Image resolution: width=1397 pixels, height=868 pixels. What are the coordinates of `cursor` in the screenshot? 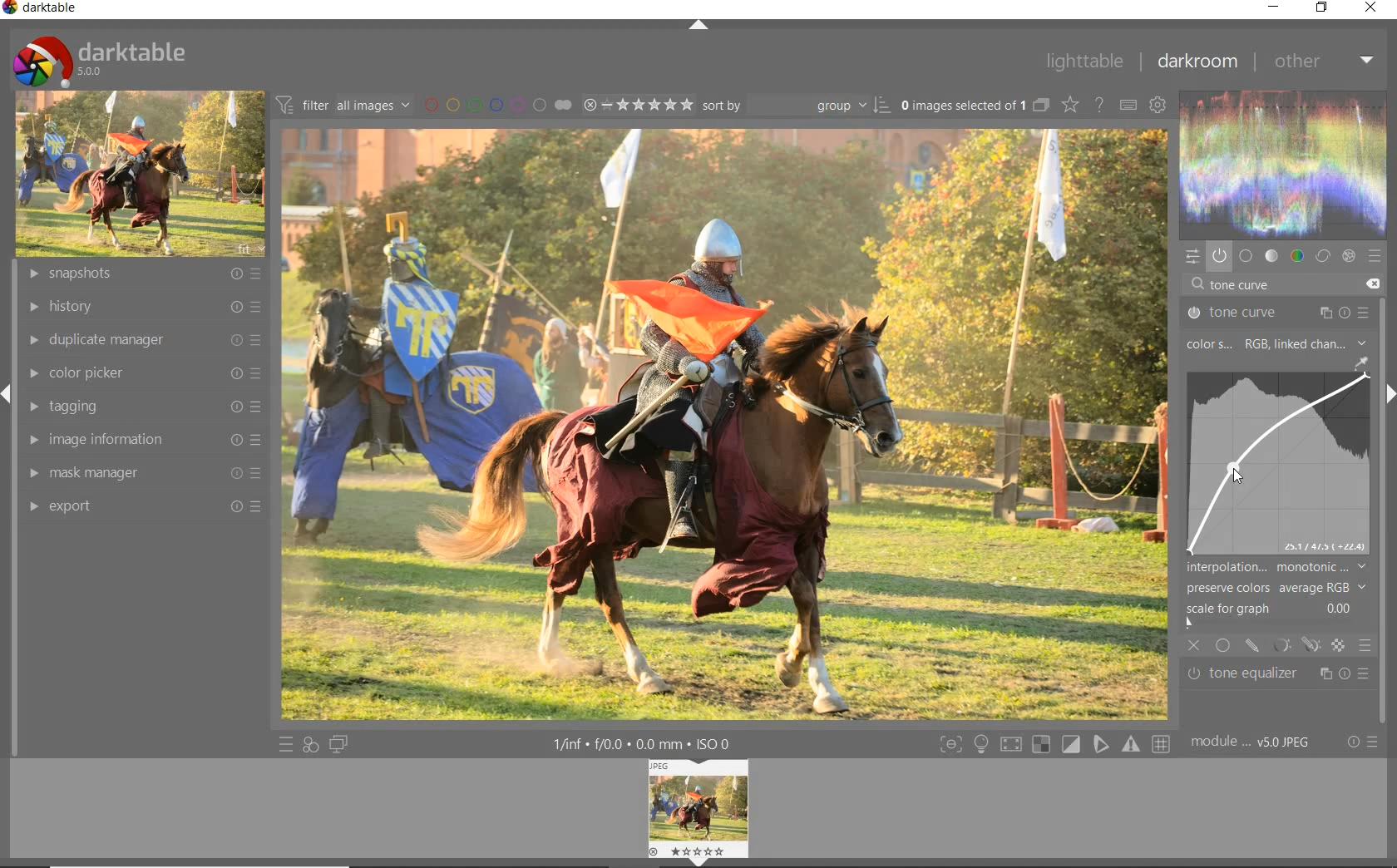 It's located at (1235, 473).